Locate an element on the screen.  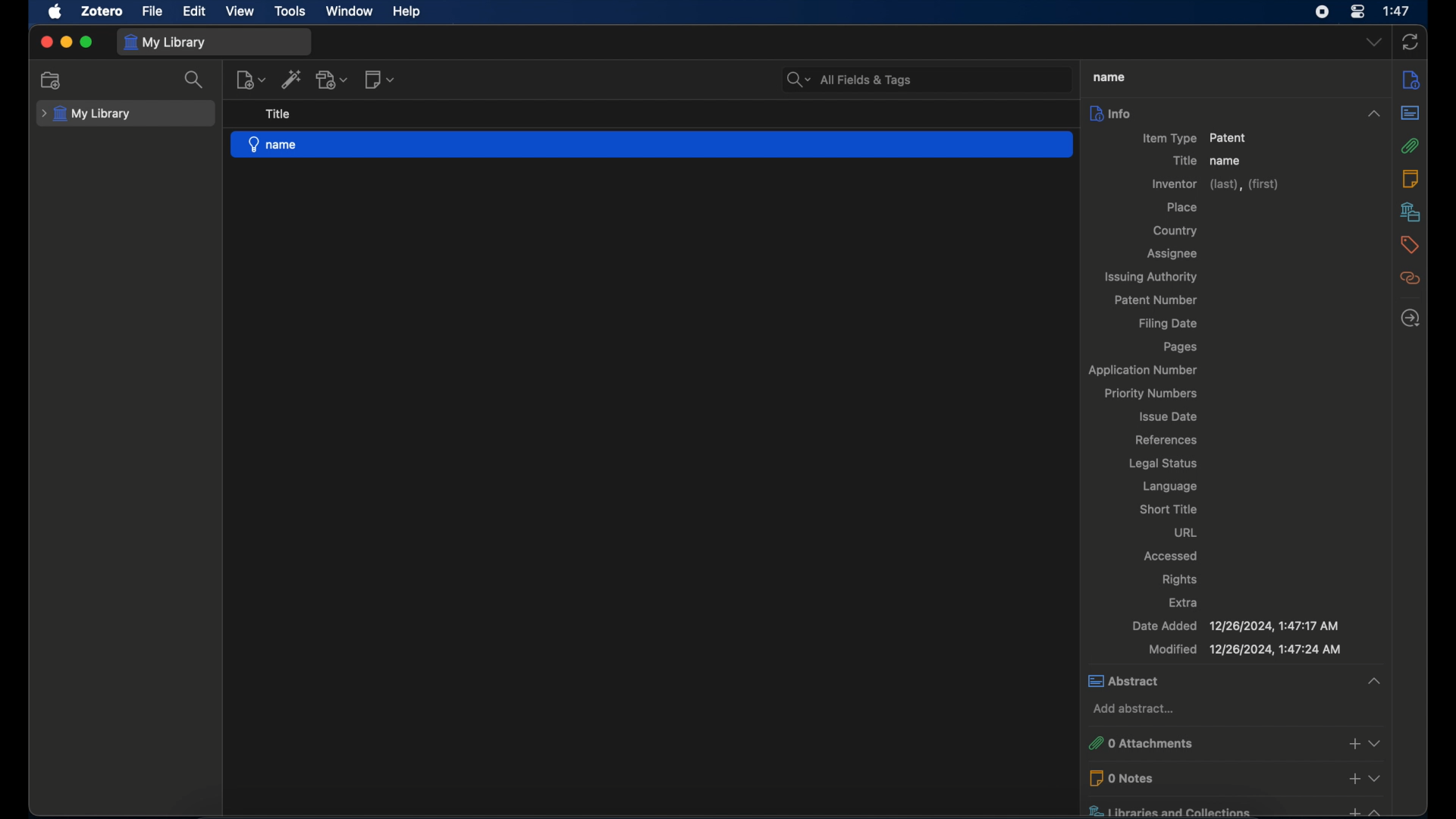
related is located at coordinates (1410, 278).